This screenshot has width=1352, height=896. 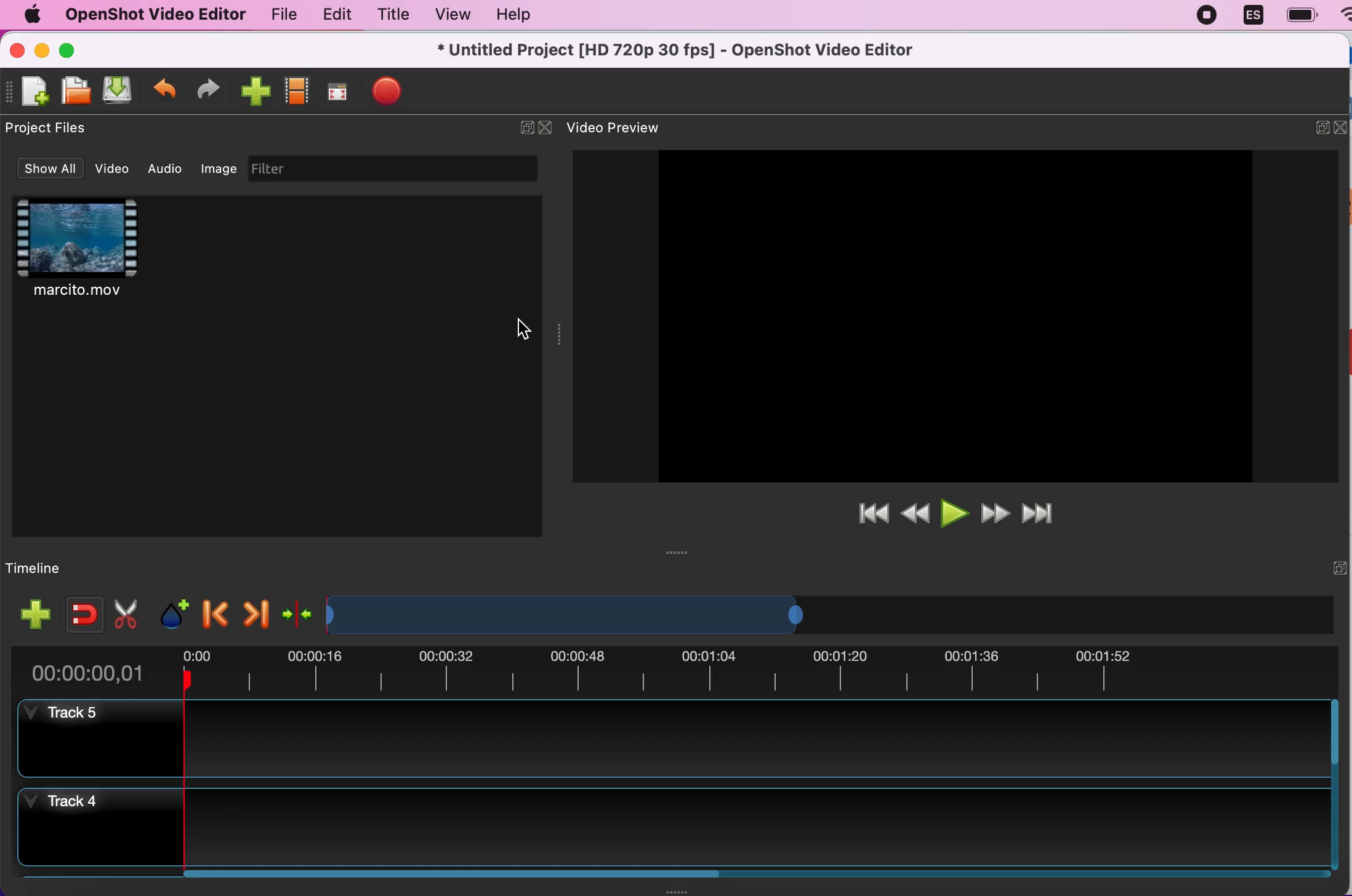 What do you see at coordinates (130, 612) in the screenshot?
I see `cut` at bounding box center [130, 612].